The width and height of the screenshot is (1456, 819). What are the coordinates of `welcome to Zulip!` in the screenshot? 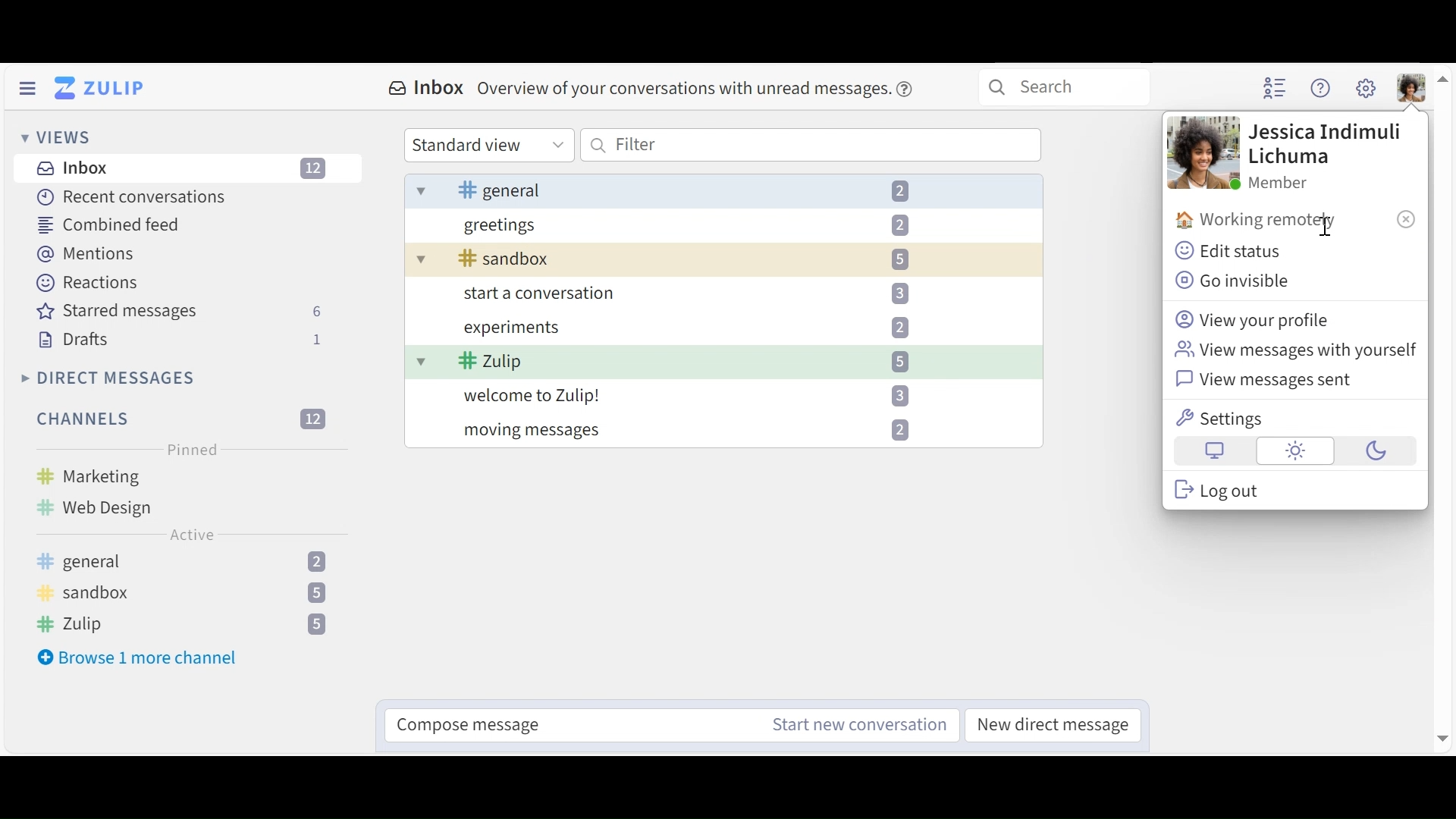 It's located at (532, 397).